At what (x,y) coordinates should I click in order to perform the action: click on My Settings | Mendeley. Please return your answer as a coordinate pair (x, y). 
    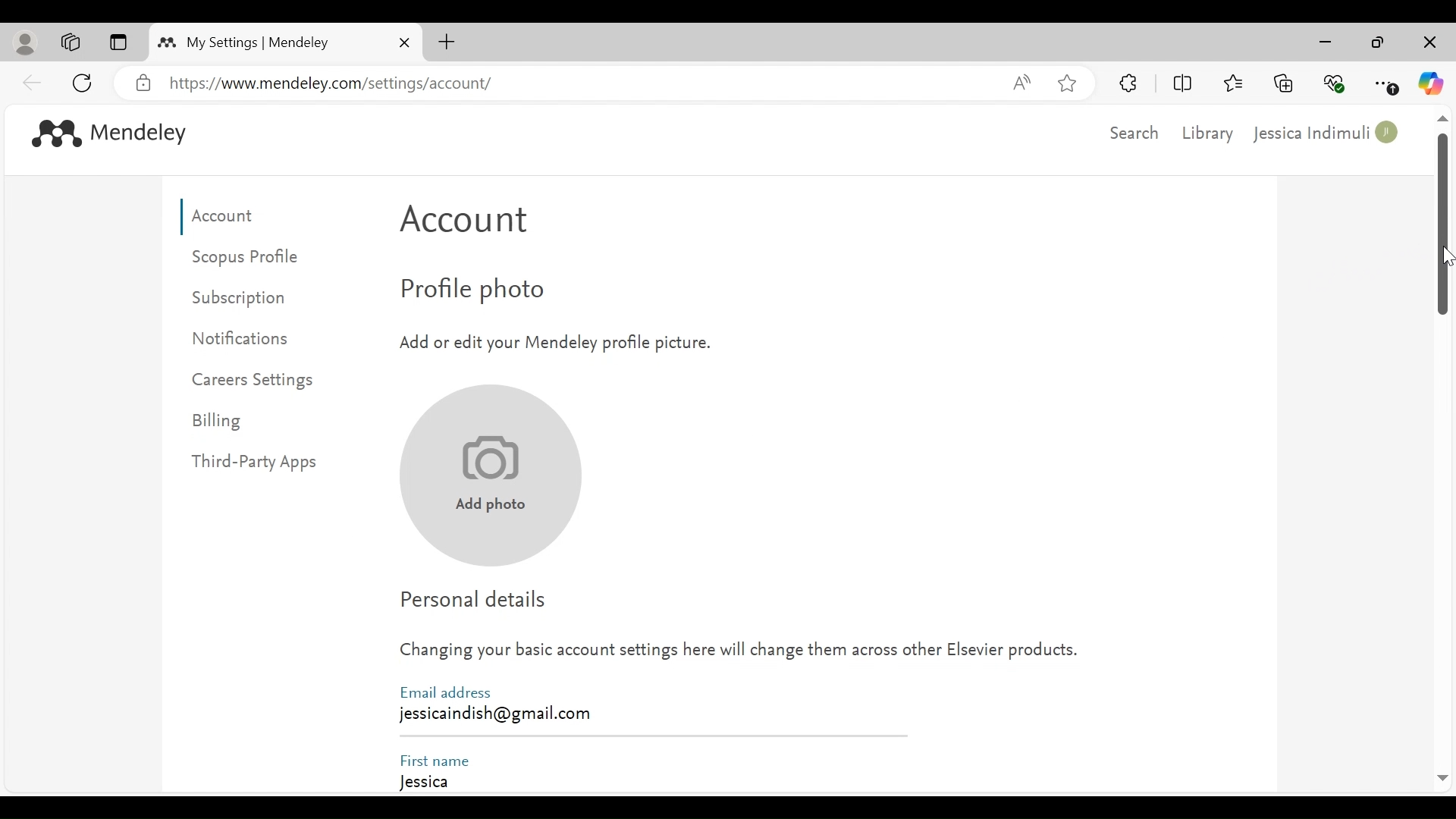
    Looking at the image, I should click on (258, 42).